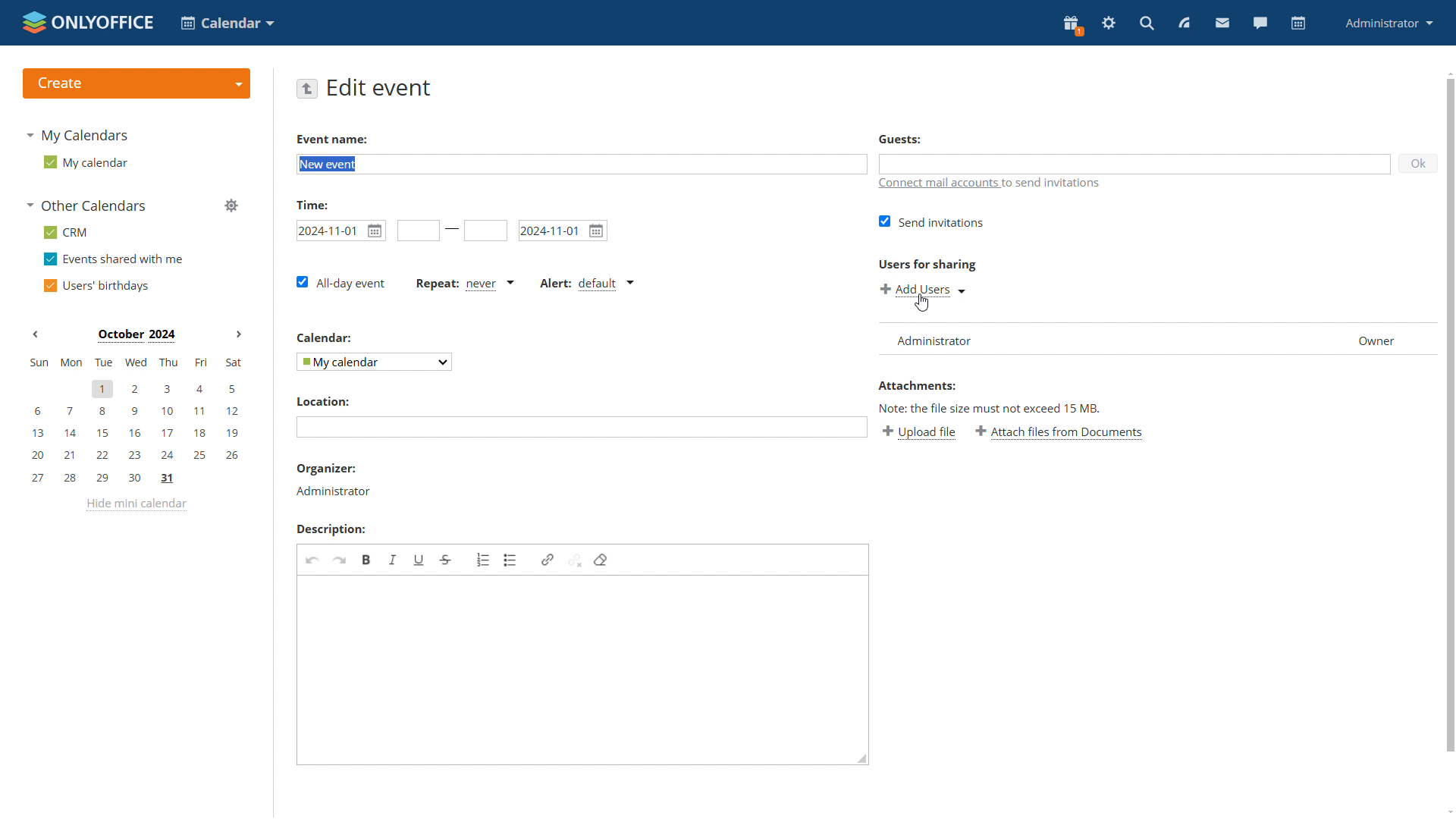 This screenshot has width=1456, height=819. What do you see at coordinates (1185, 24) in the screenshot?
I see `feed` at bounding box center [1185, 24].